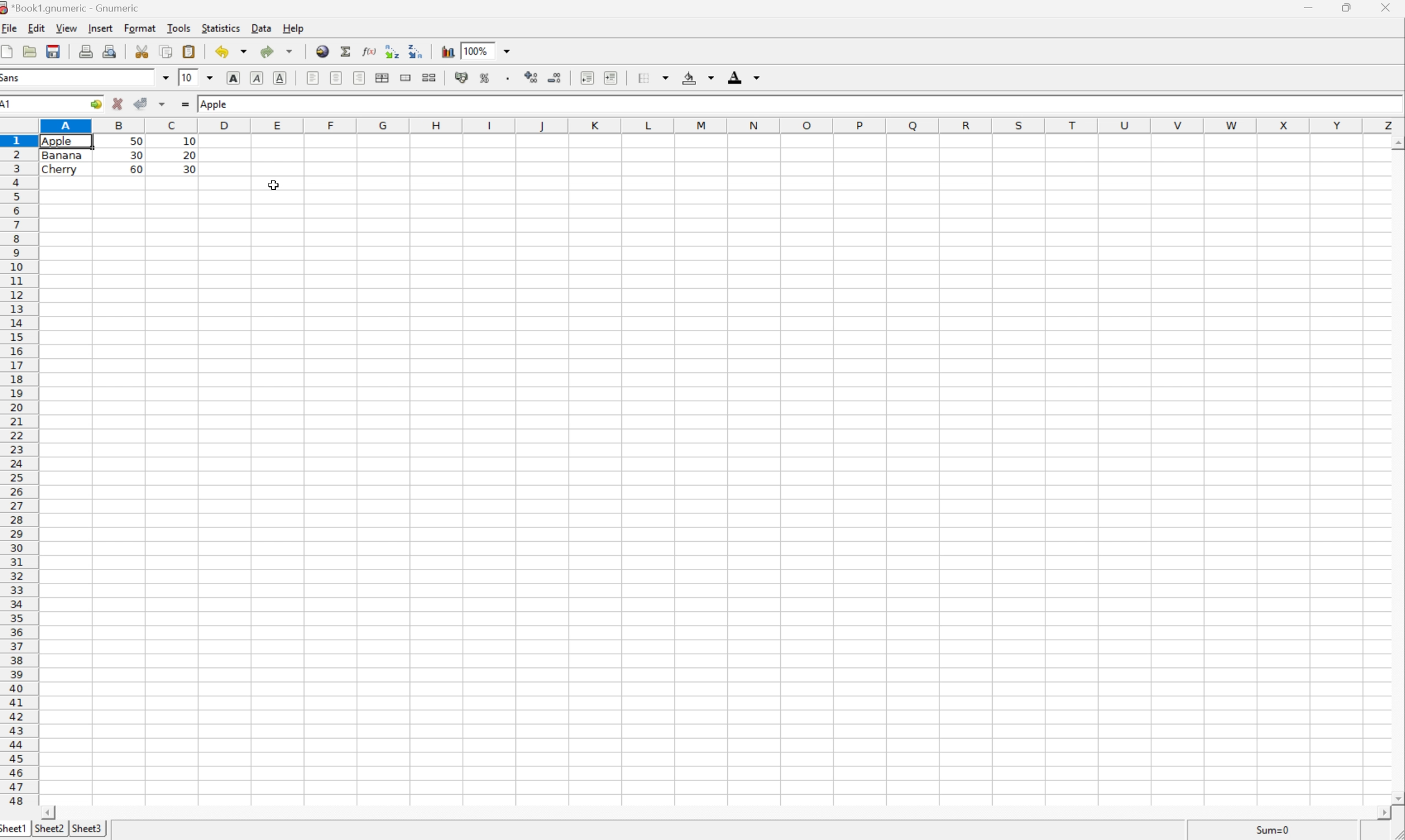 Image resolution: width=1405 pixels, height=840 pixels. What do you see at coordinates (348, 50) in the screenshot?
I see `sum in current cell` at bounding box center [348, 50].